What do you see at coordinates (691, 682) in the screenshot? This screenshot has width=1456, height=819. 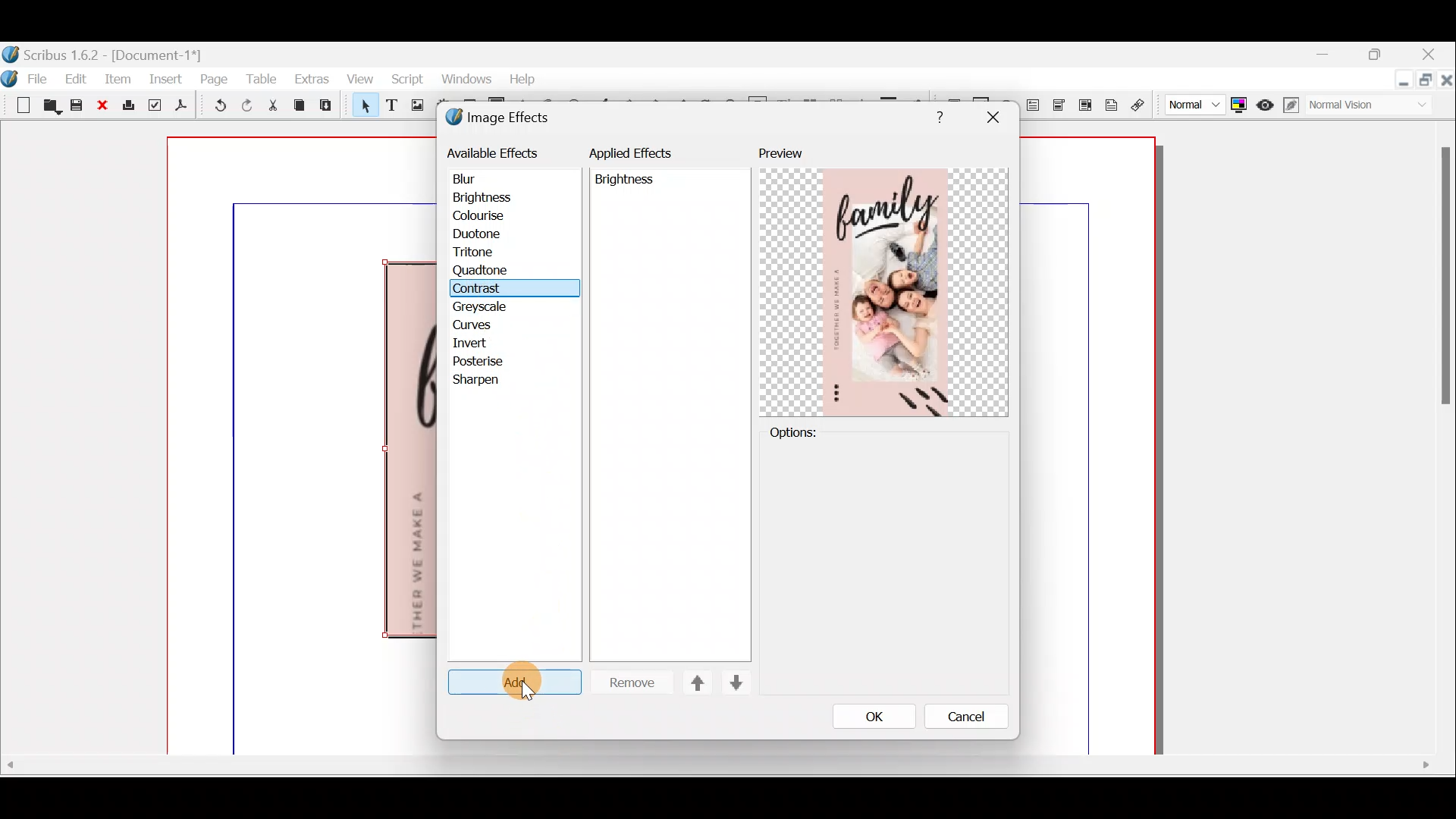 I see `Move up` at bounding box center [691, 682].